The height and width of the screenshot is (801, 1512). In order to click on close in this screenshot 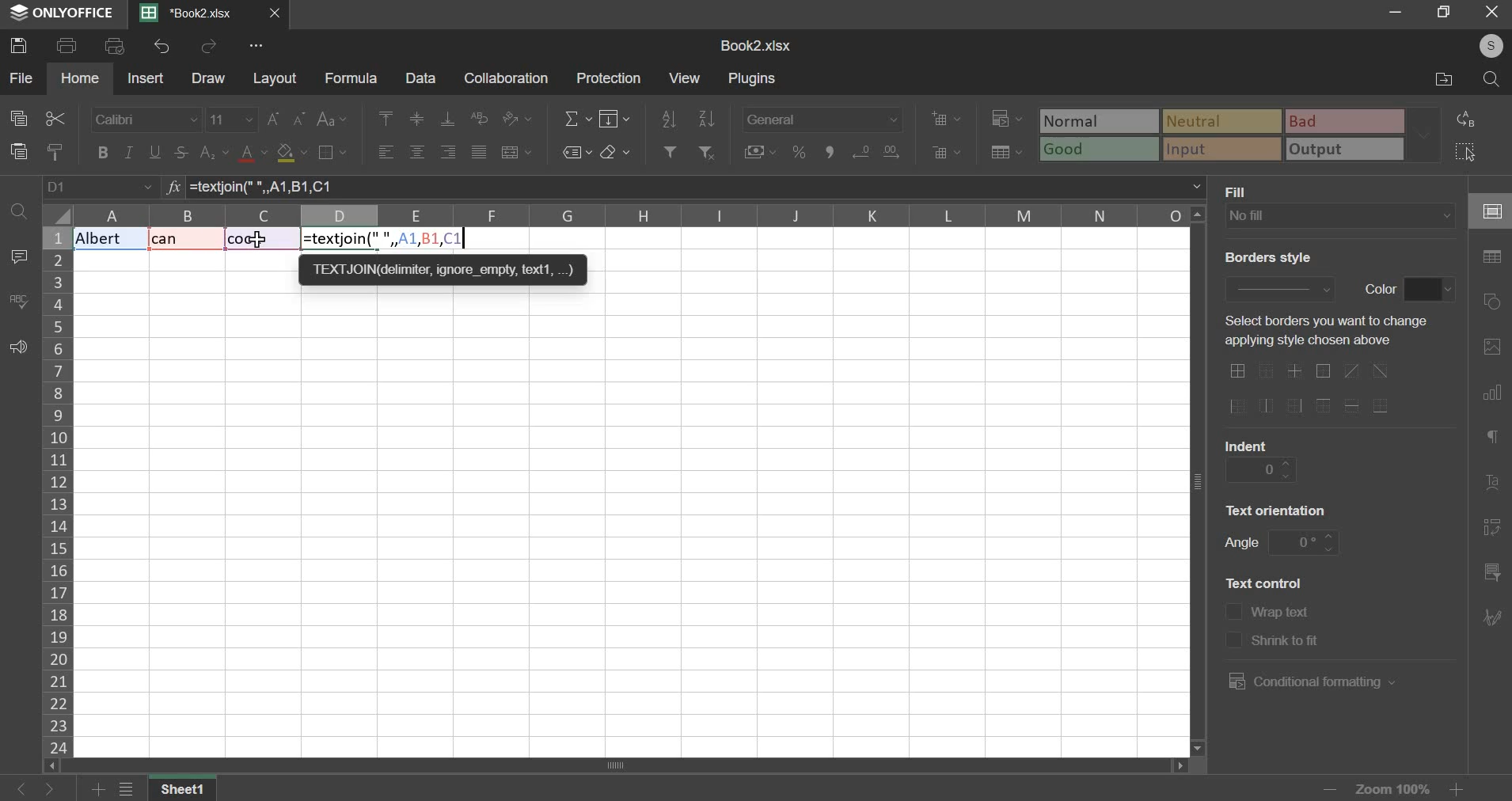, I will do `click(279, 15)`.